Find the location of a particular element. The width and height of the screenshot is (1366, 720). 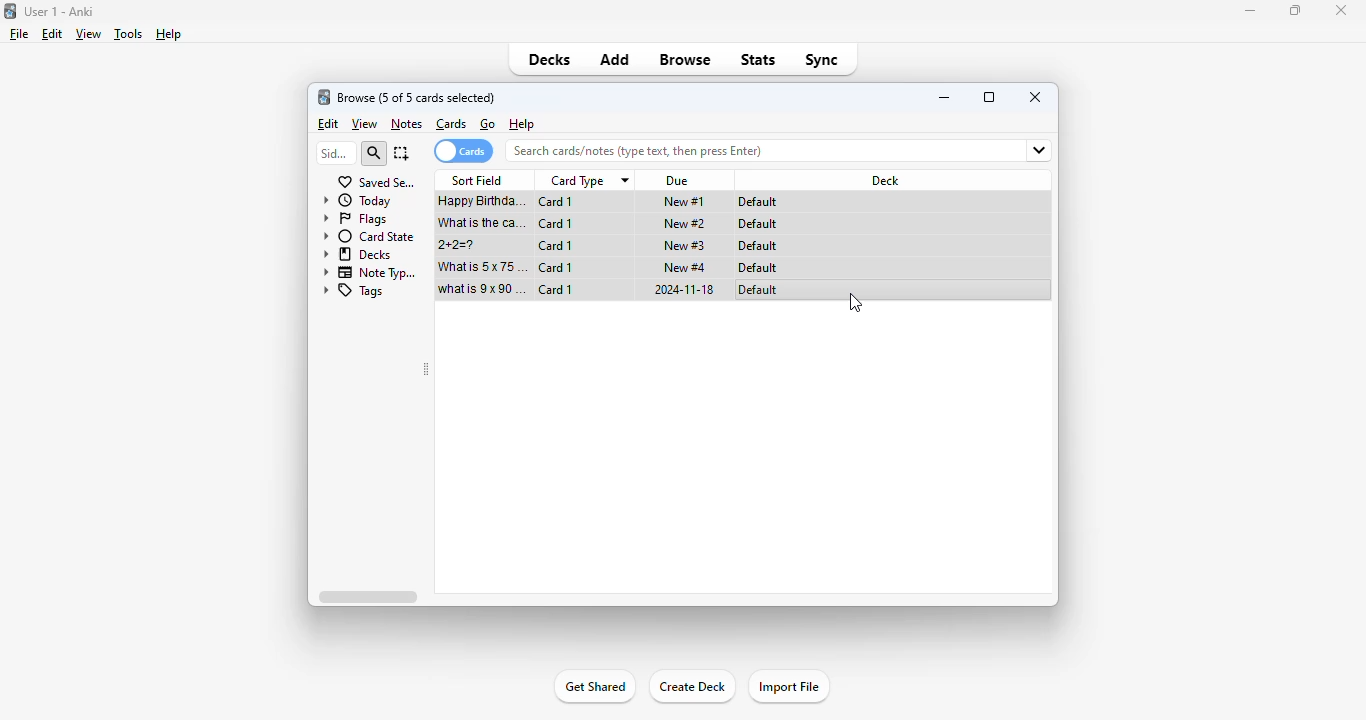

edit is located at coordinates (53, 34).